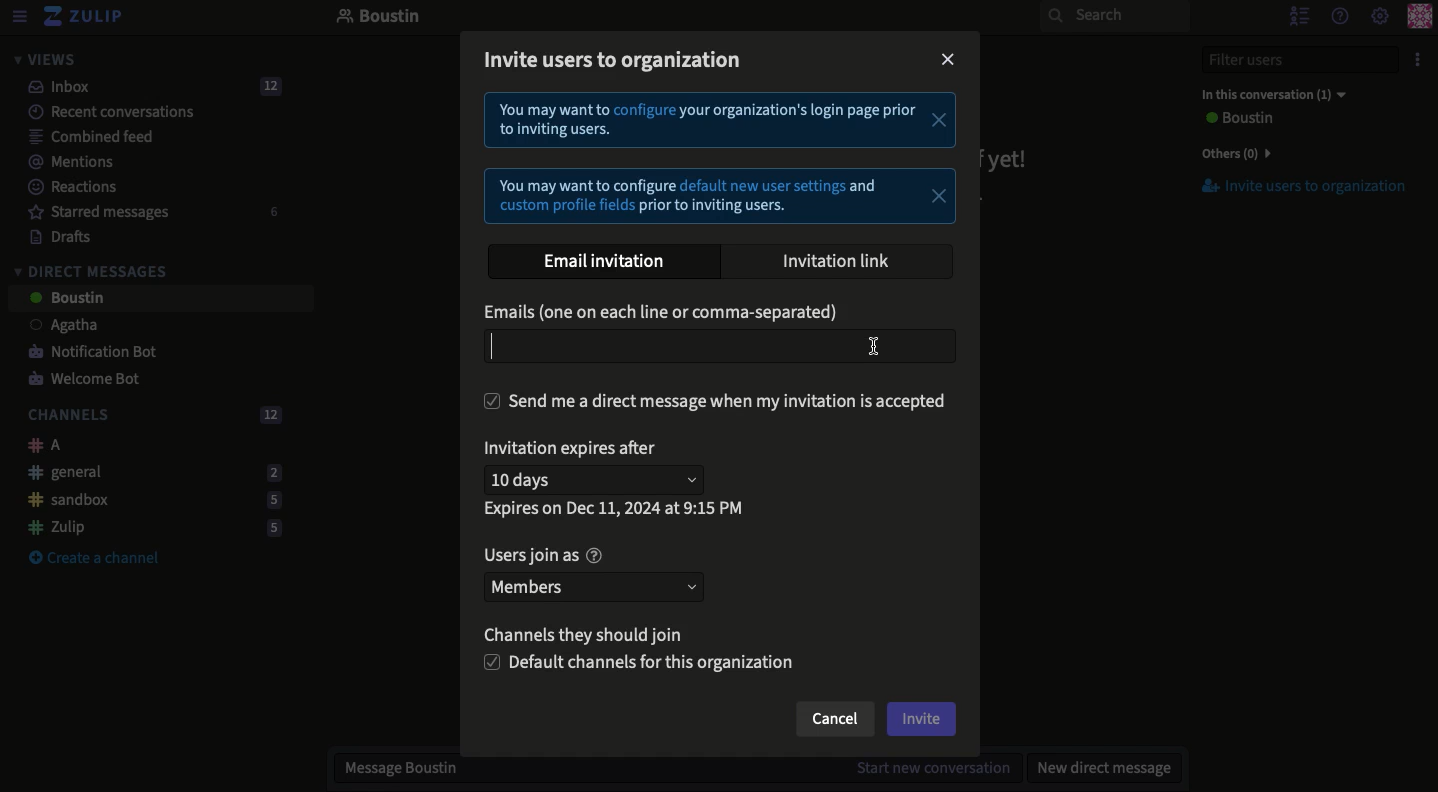  I want to click on Cancel, so click(833, 721).